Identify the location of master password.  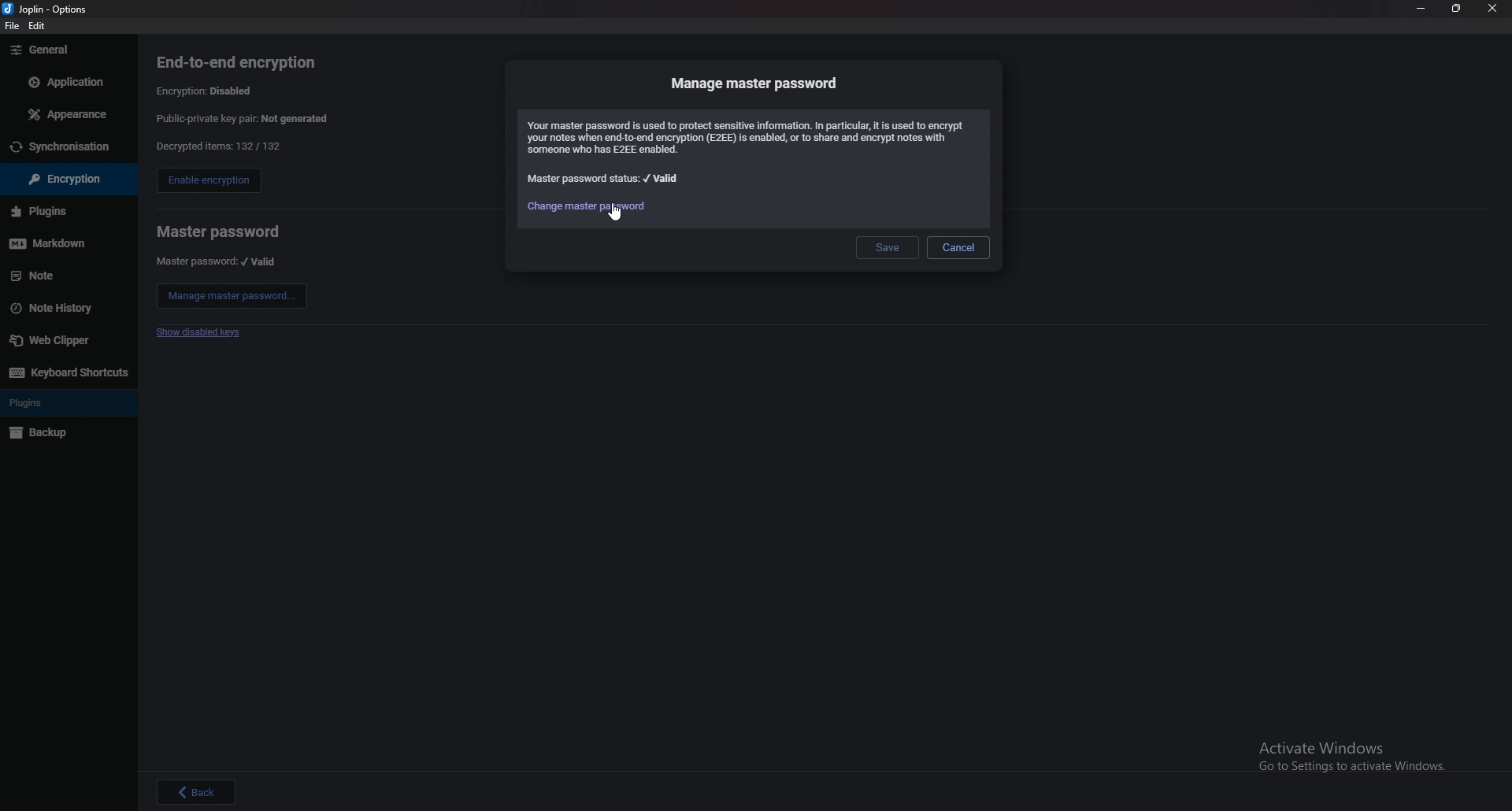
(217, 261).